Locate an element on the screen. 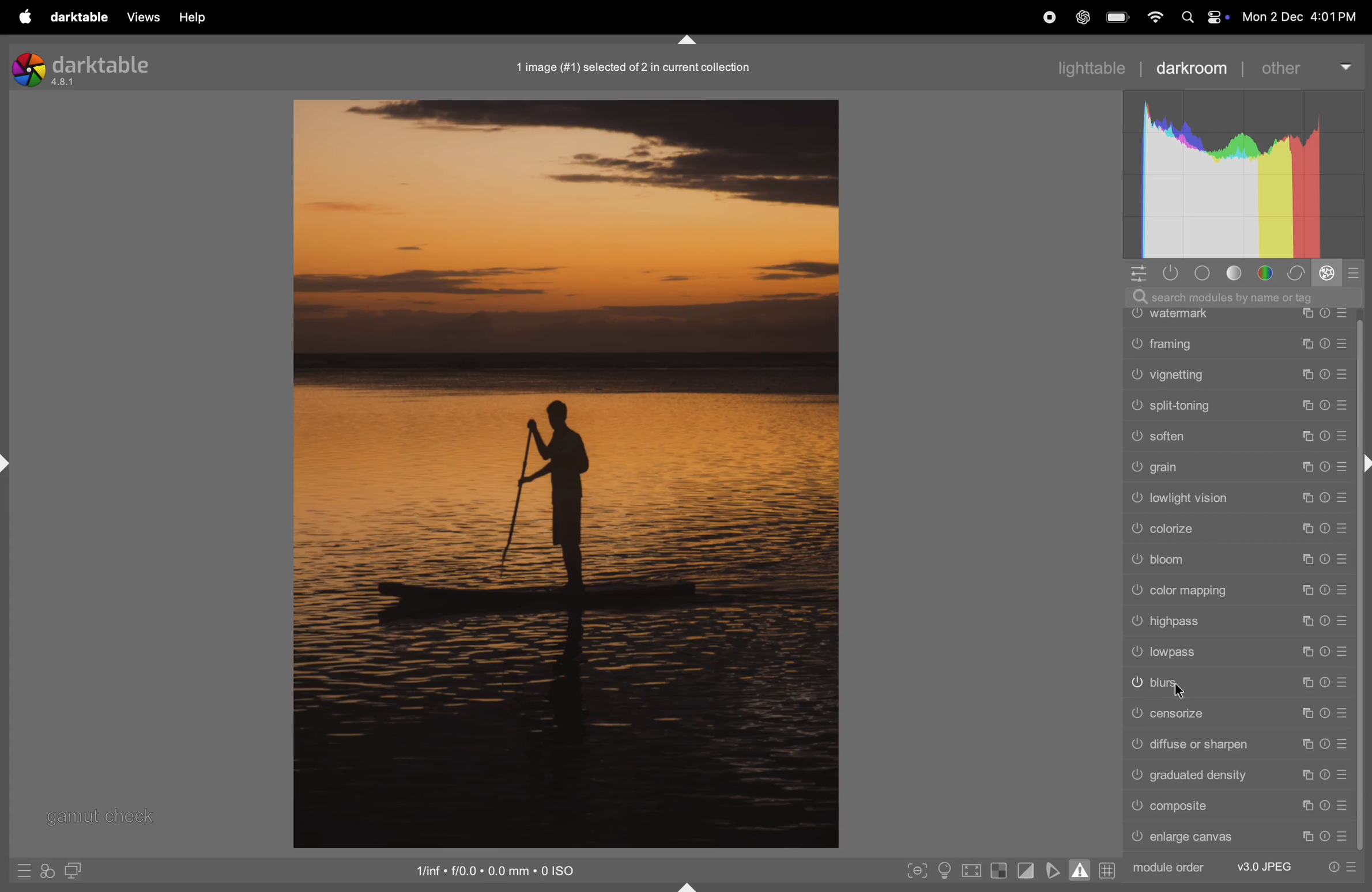  tone is located at coordinates (1239, 273).